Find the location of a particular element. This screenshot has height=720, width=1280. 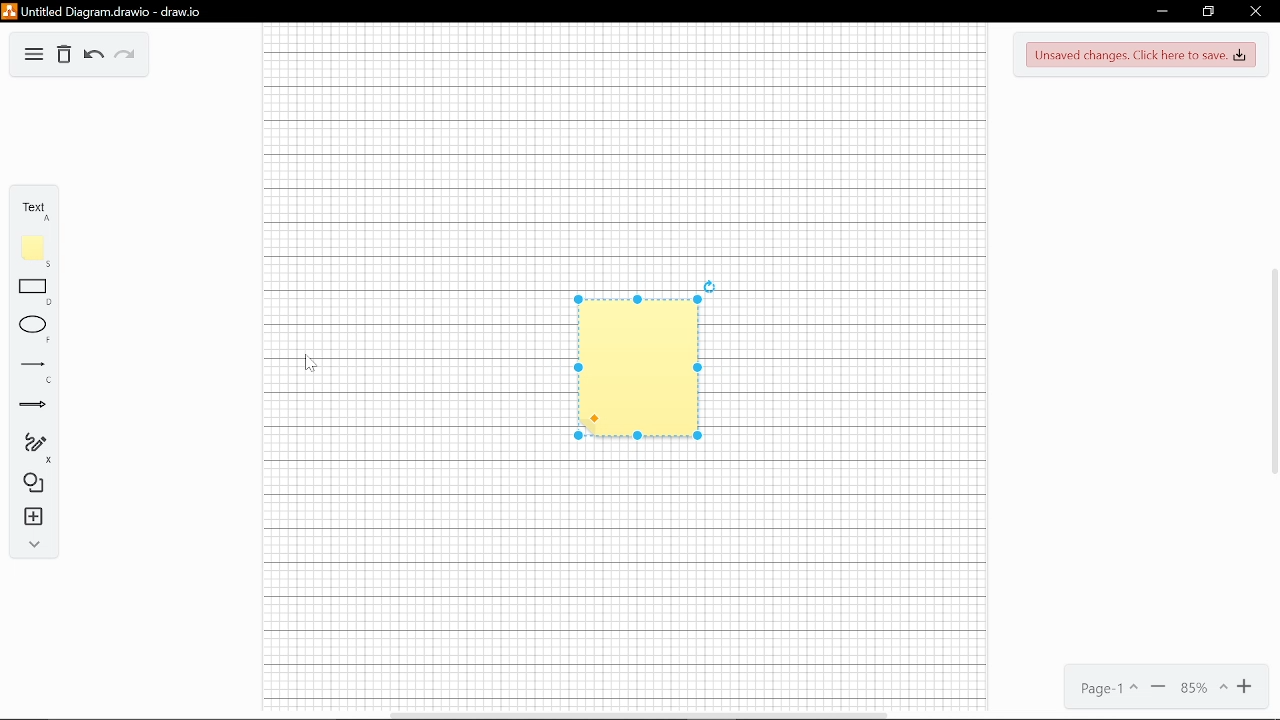

Diagram is located at coordinates (33, 53).